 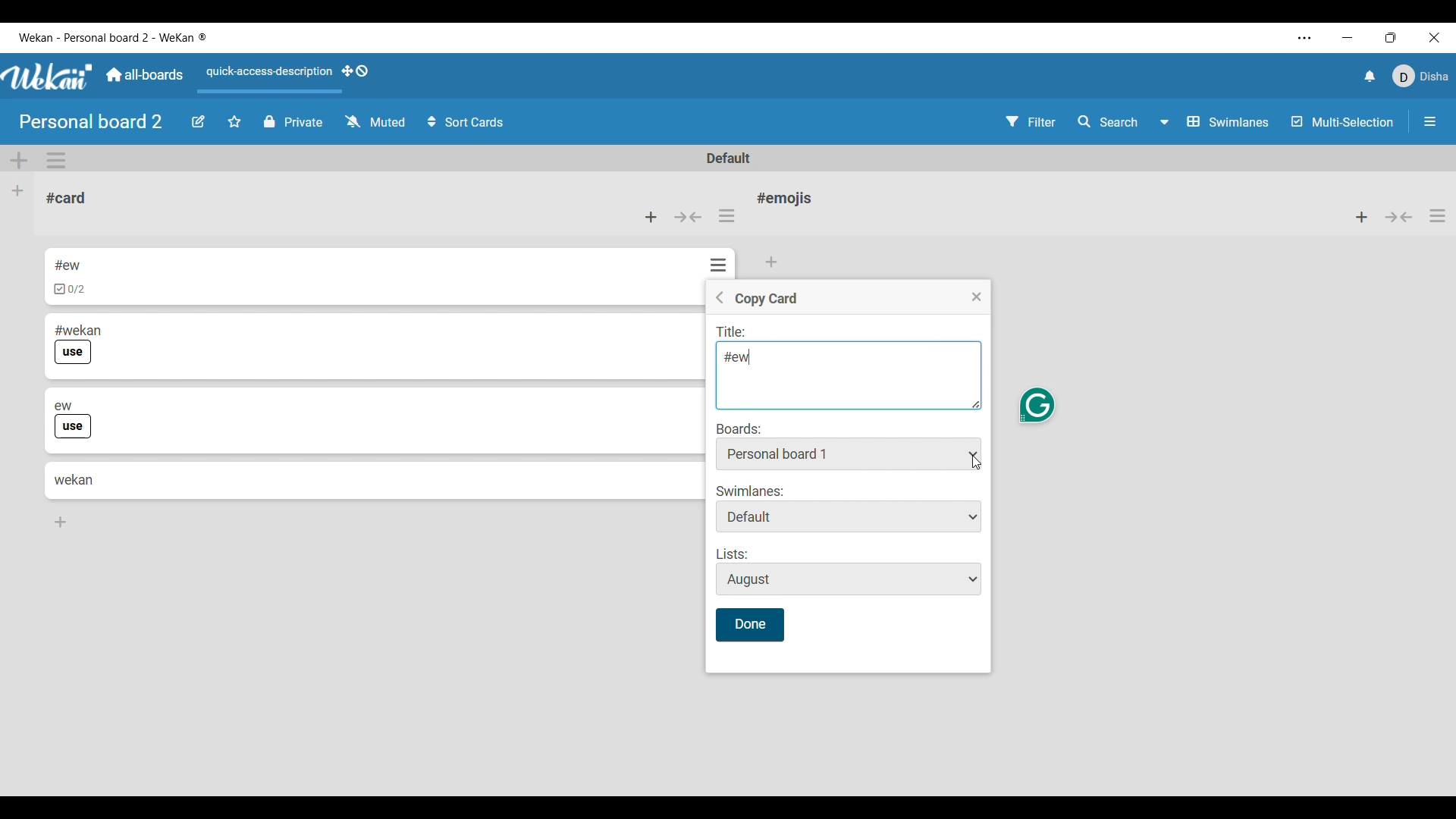 What do you see at coordinates (162, 199) in the screenshot?
I see `Current list` at bounding box center [162, 199].